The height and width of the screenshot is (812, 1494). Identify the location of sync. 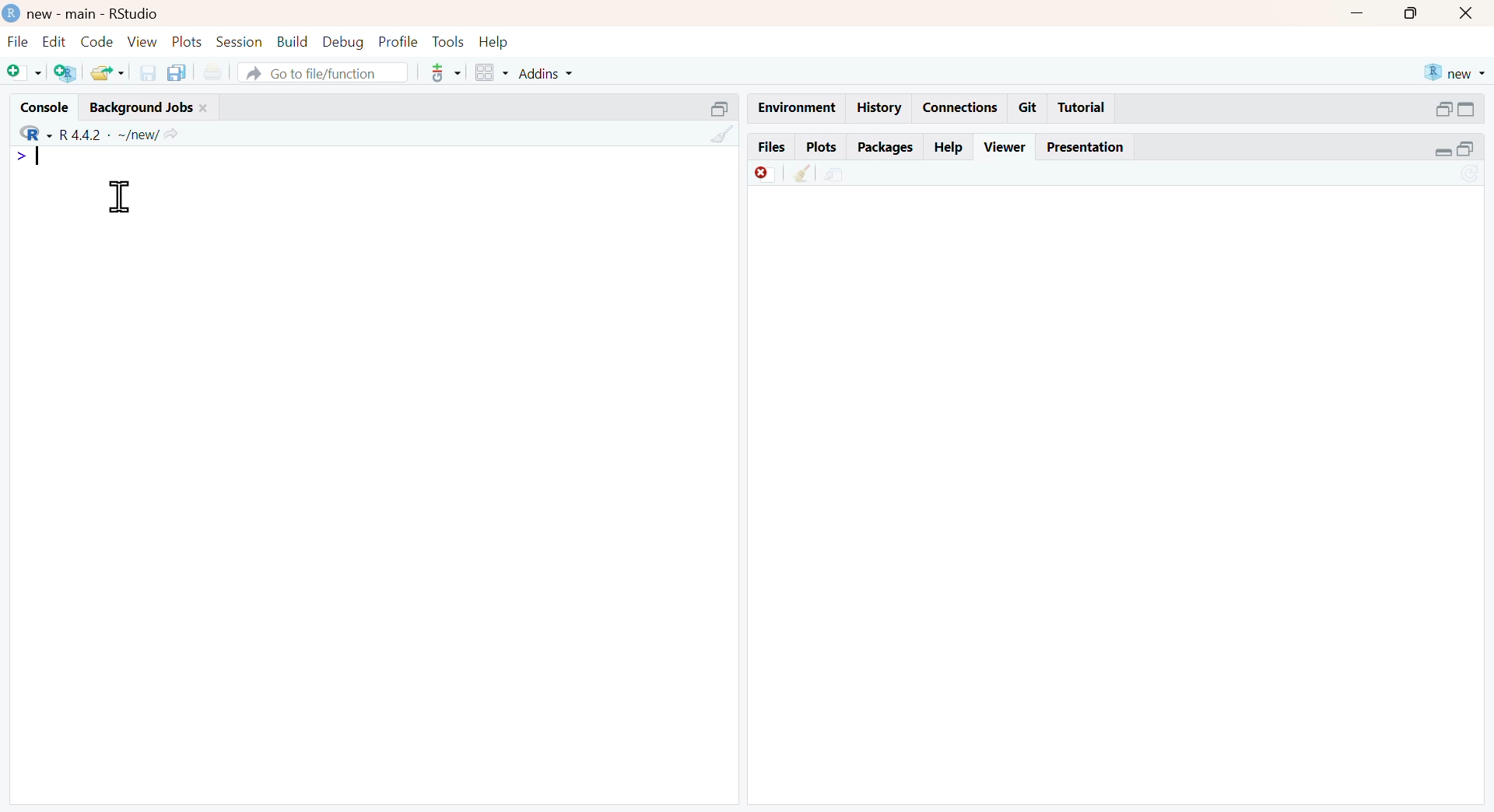
(1470, 173).